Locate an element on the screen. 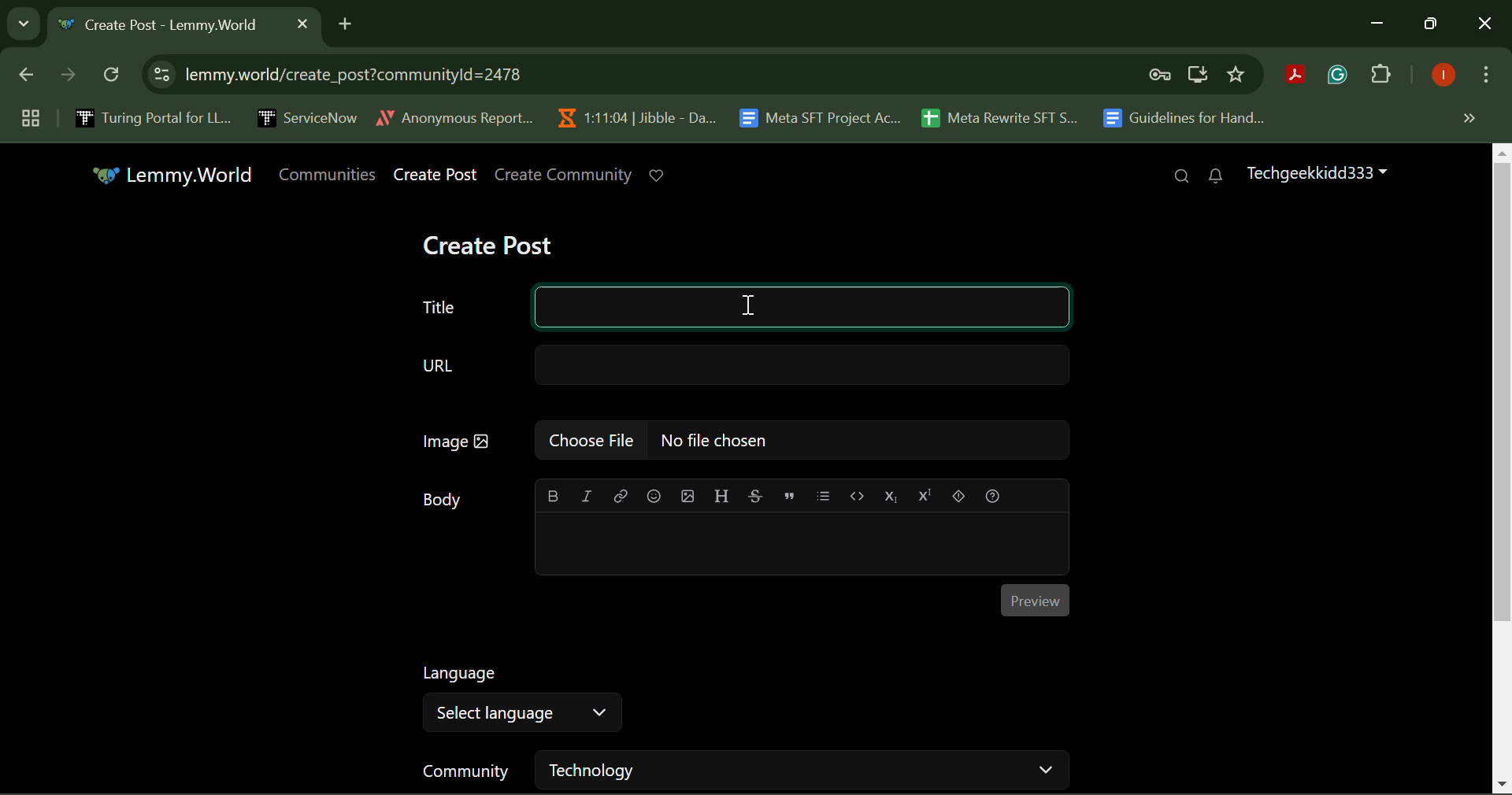  Verify Security  is located at coordinates (1162, 75).